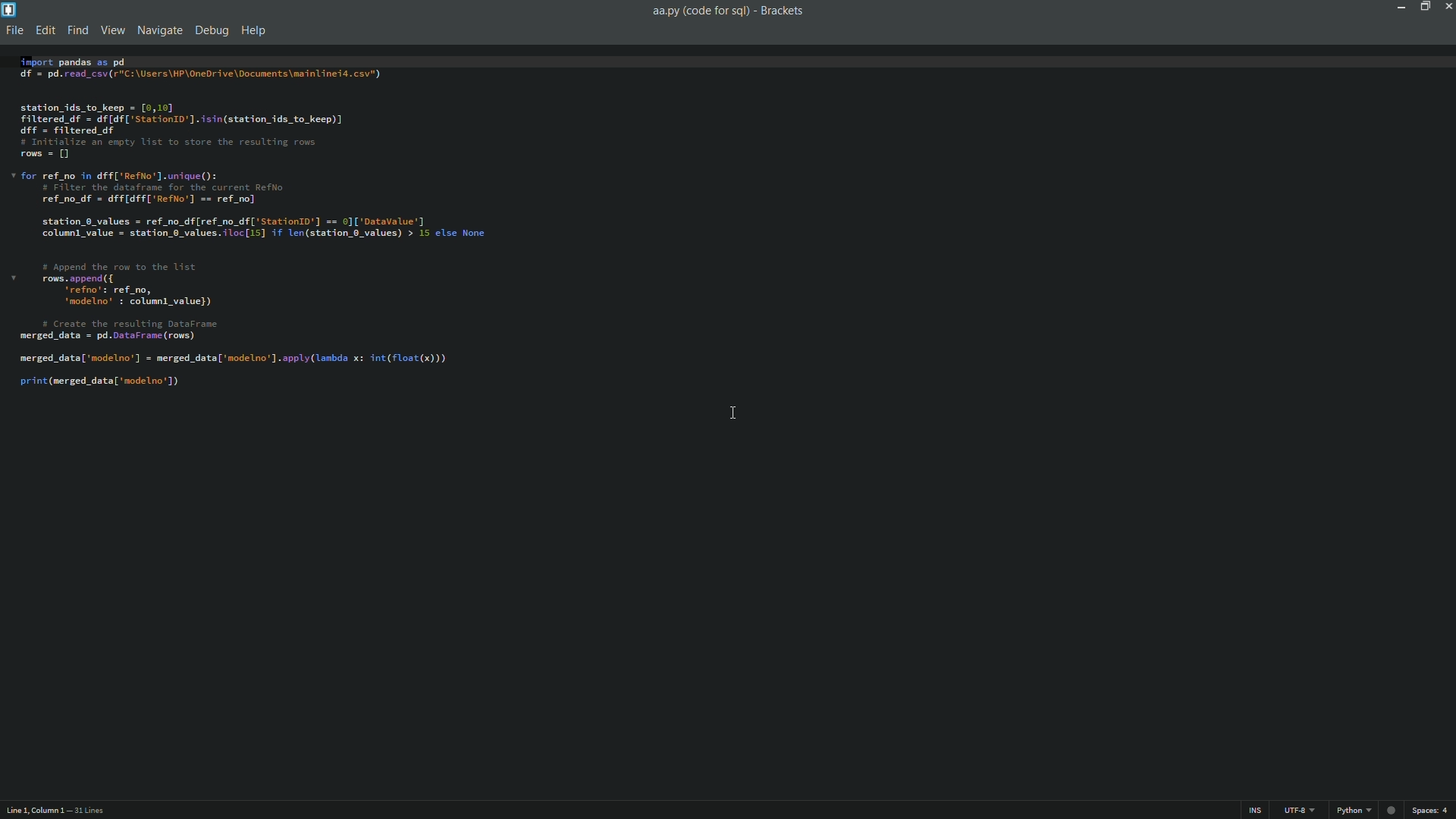  I want to click on debug menu, so click(211, 32).